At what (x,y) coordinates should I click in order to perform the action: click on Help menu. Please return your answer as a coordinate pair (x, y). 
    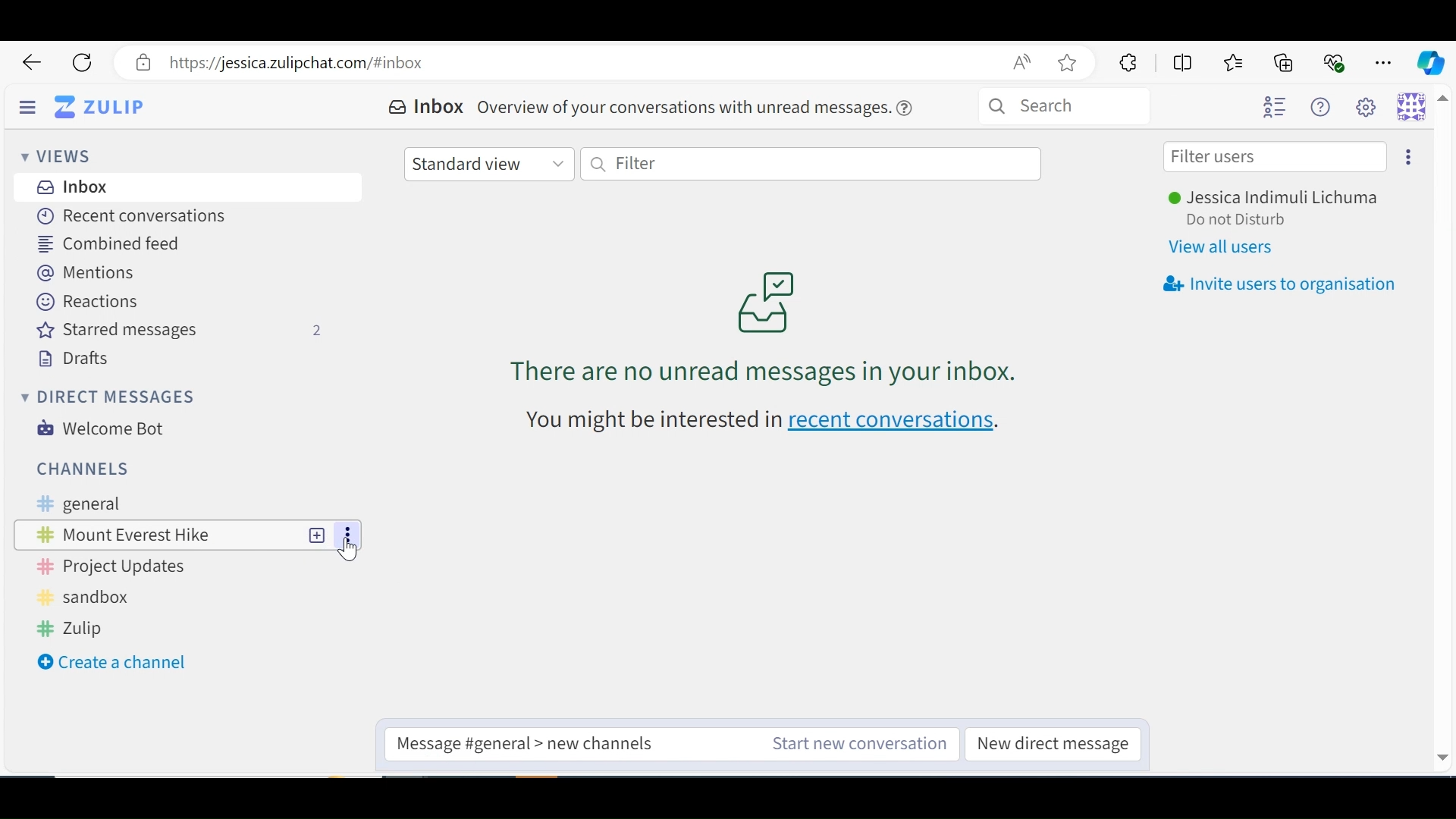
    Looking at the image, I should click on (1325, 107).